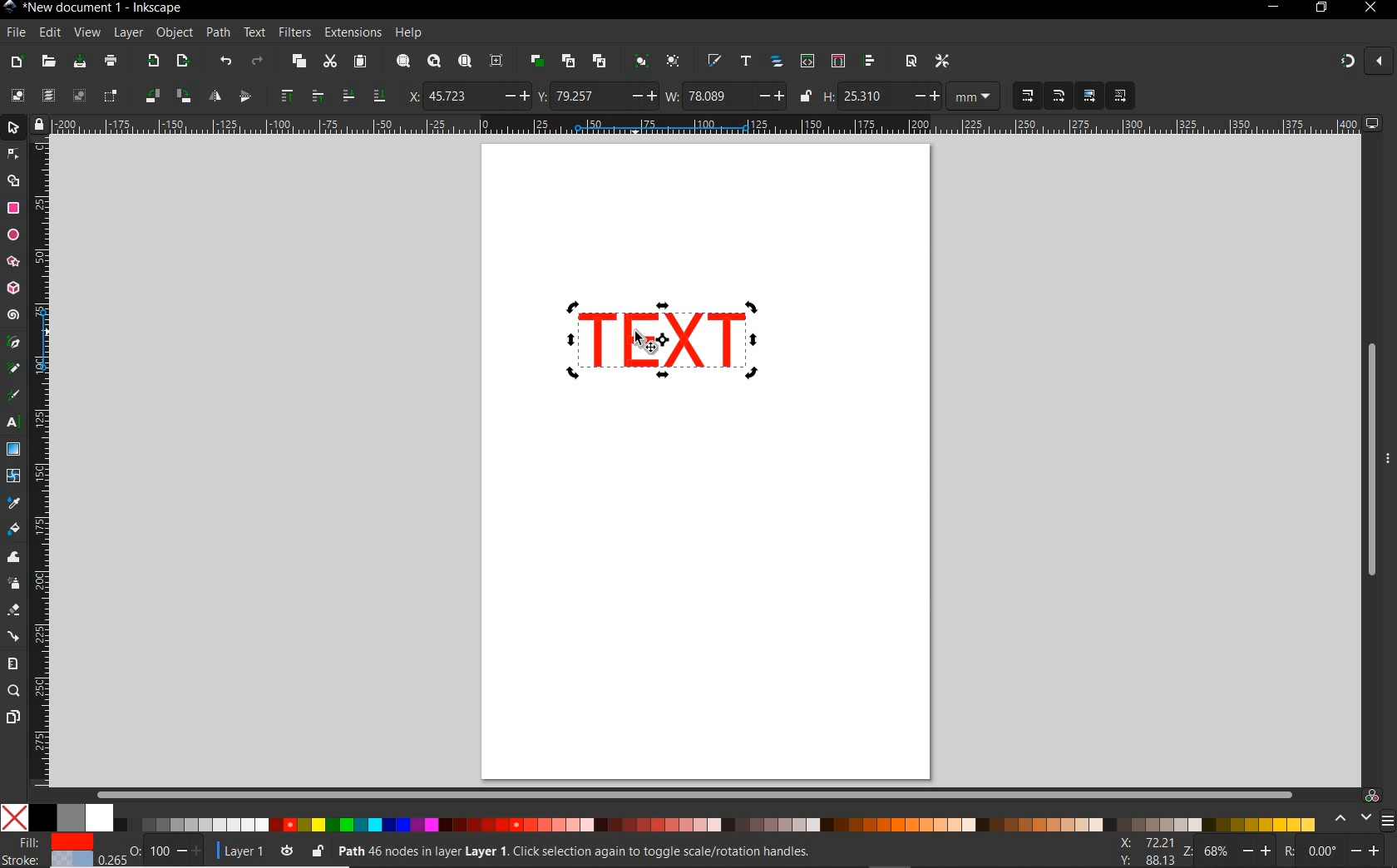  Describe the element at coordinates (496, 62) in the screenshot. I see `ZOOM CENTER PAGE` at that location.